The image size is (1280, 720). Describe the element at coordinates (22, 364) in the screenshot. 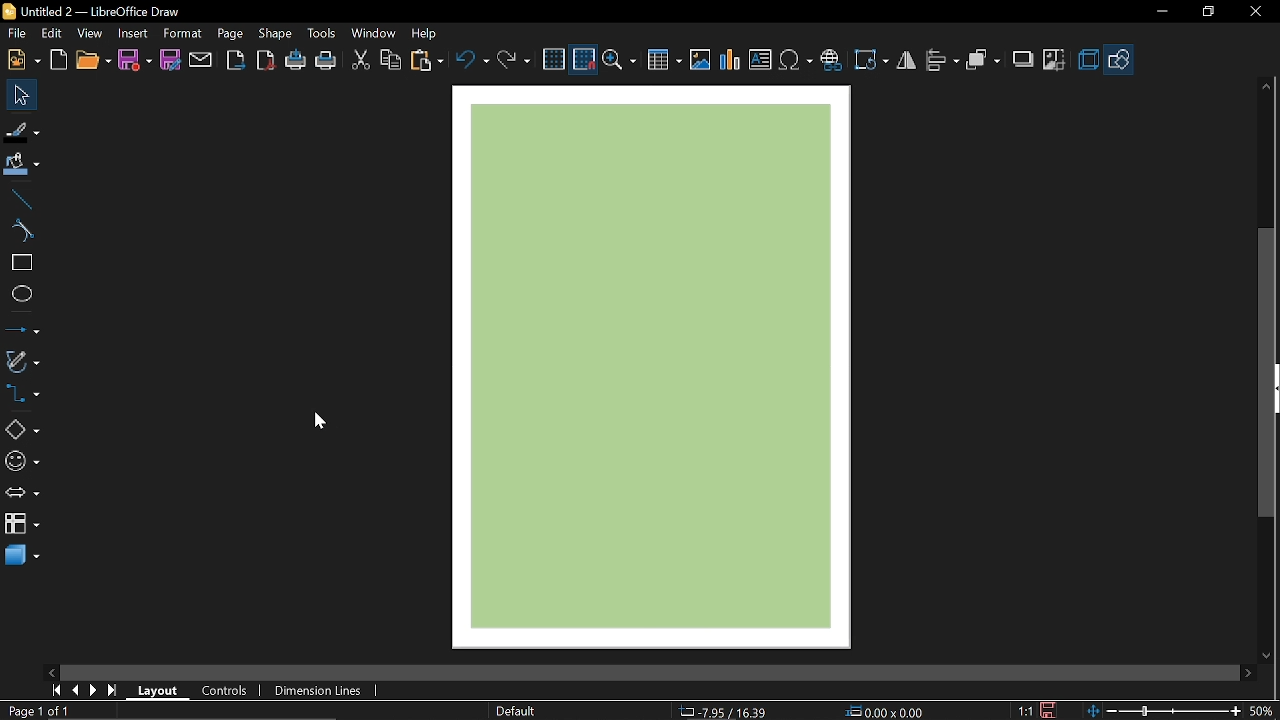

I see `Curves and polygons` at that location.